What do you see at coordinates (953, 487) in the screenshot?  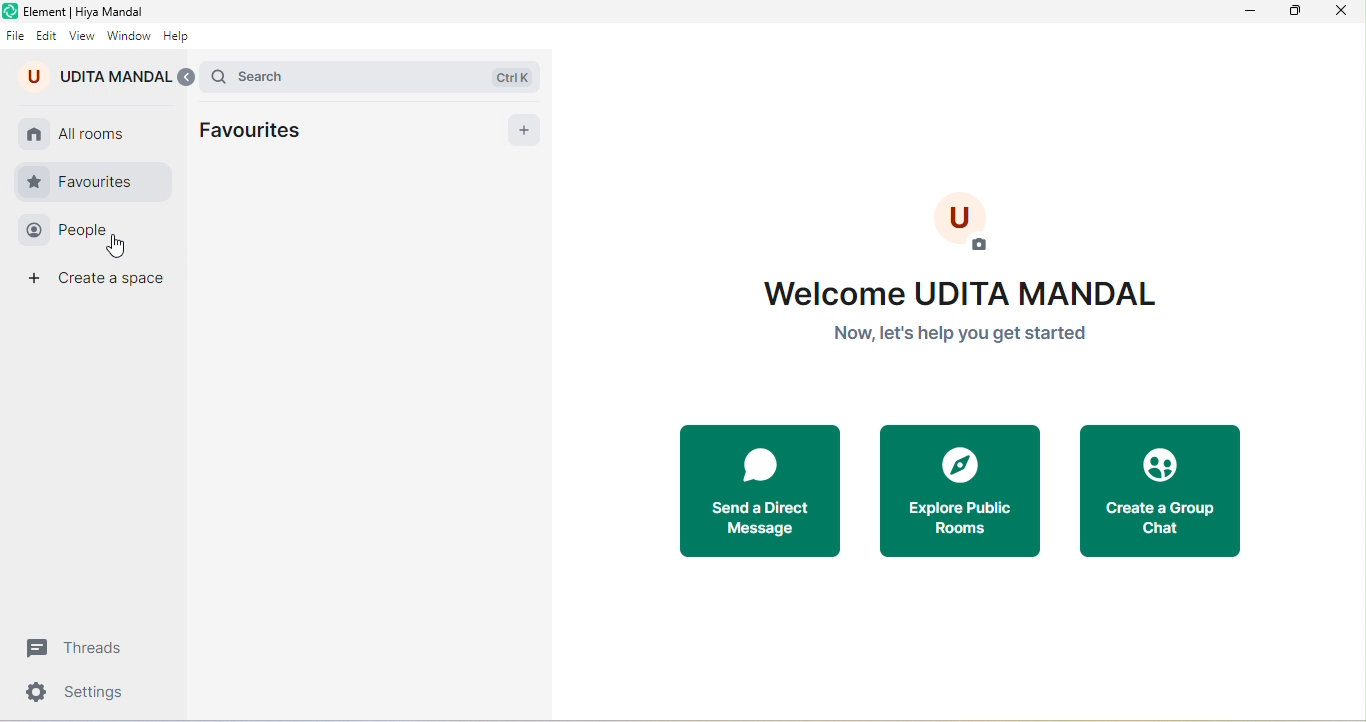 I see `explore public rooms` at bounding box center [953, 487].